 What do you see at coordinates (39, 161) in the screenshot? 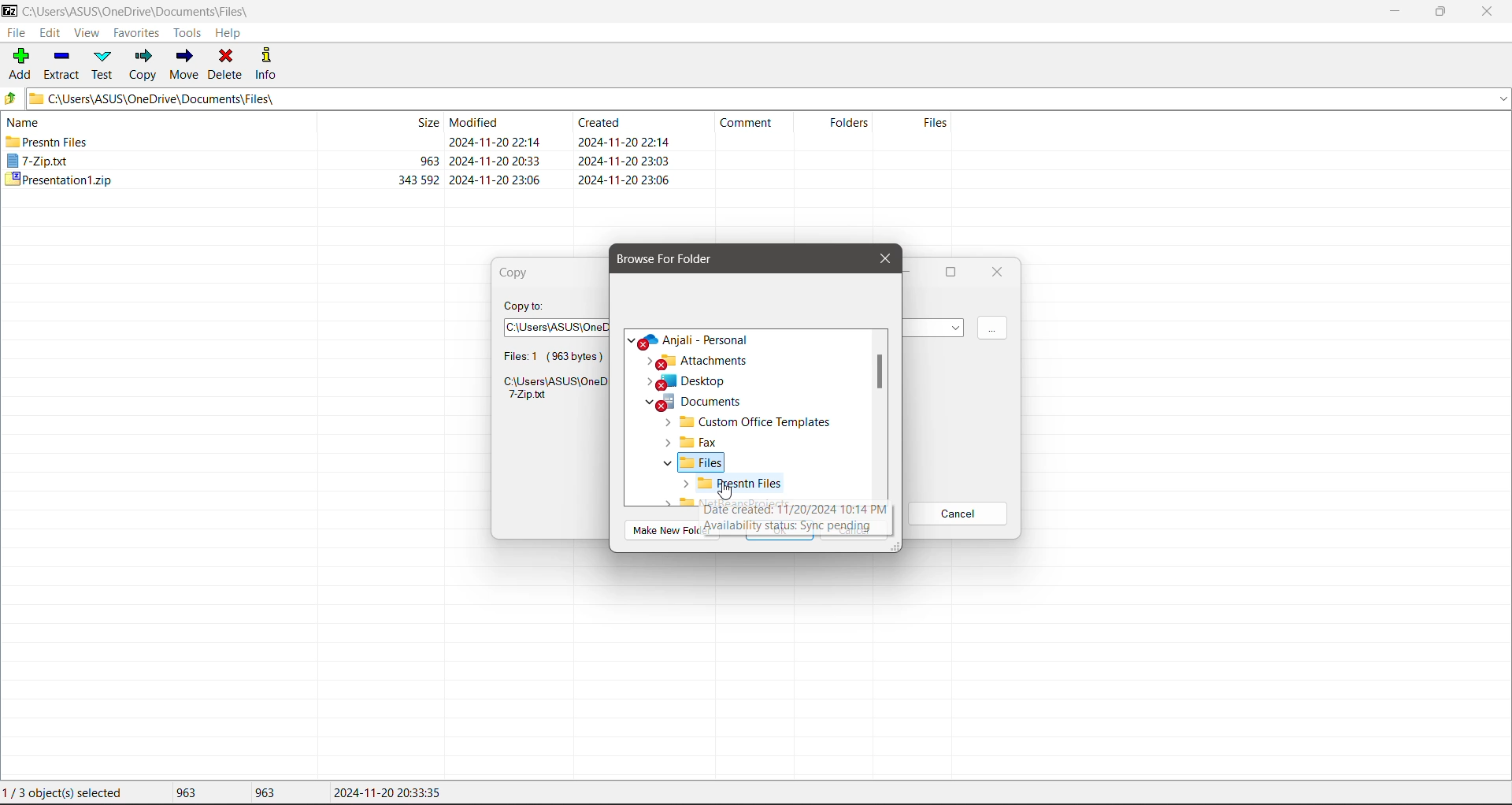
I see `7.zip.txt` at bounding box center [39, 161].